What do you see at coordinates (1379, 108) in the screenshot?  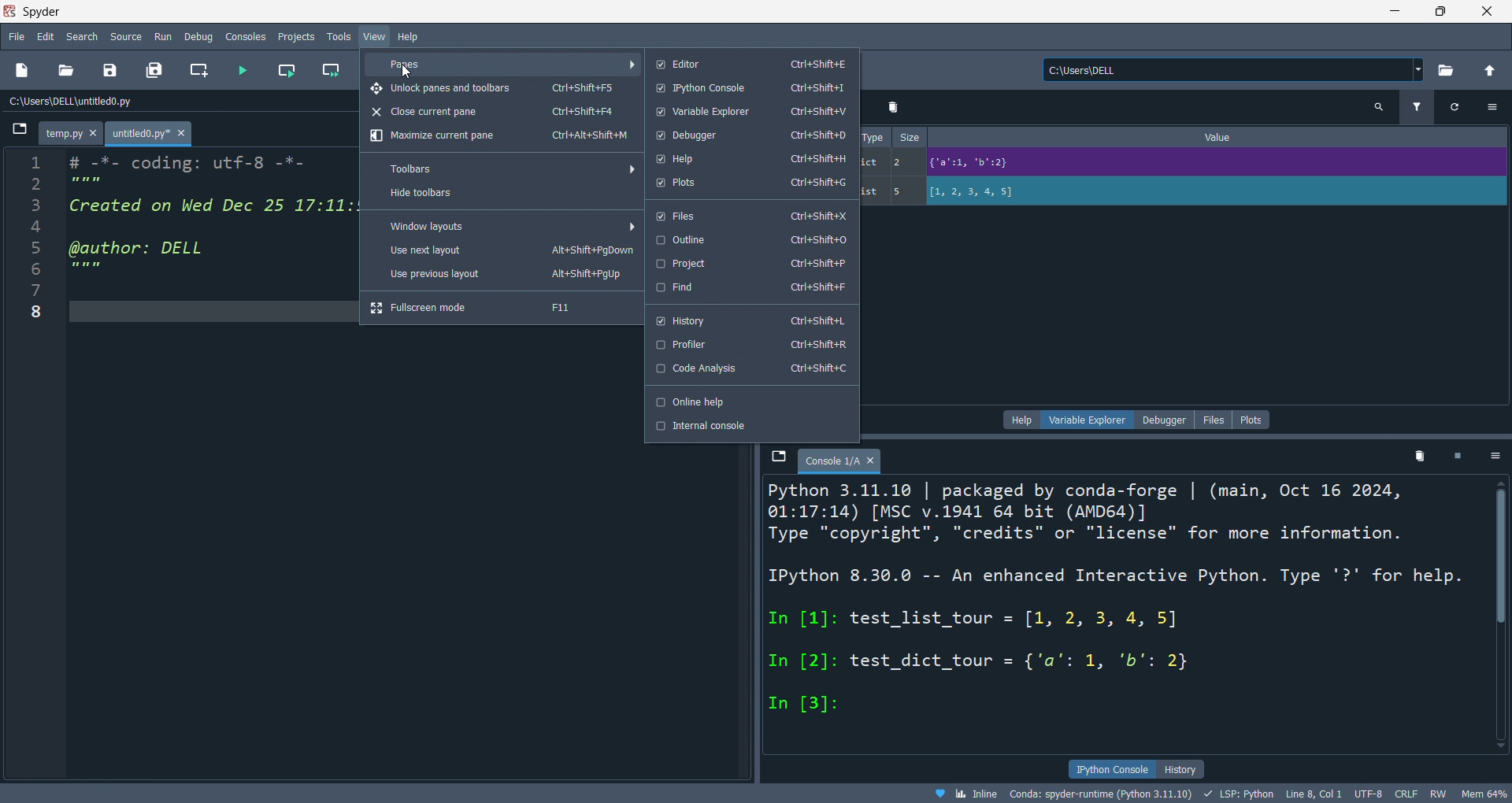 I see `search` at bounding box center [1379, 108].